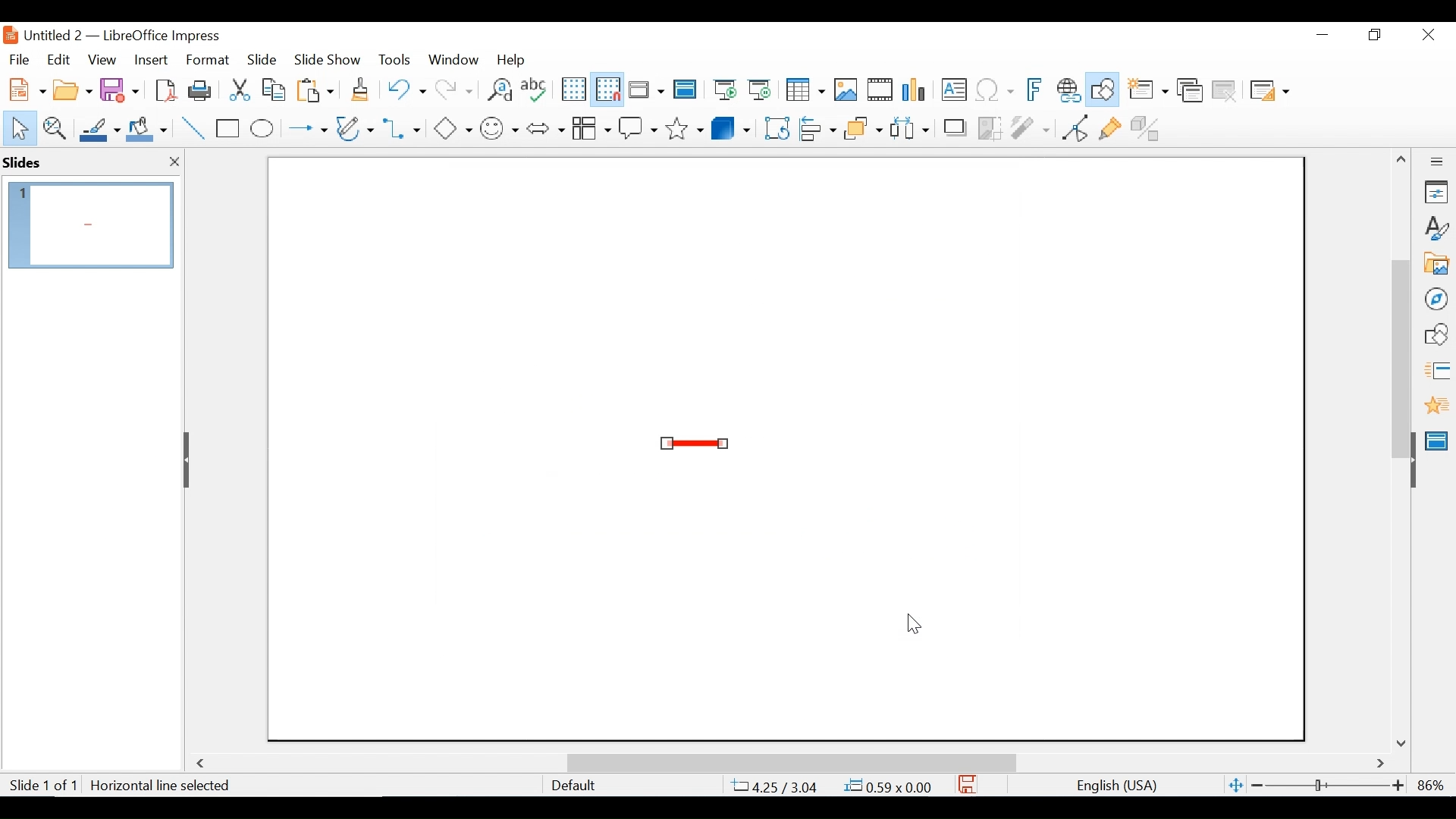 This screenshot has height=819, width=1456. What do you see at coordinates (968, 784) in the screenshot?
I see `Save` at bounding box center [968, 784].